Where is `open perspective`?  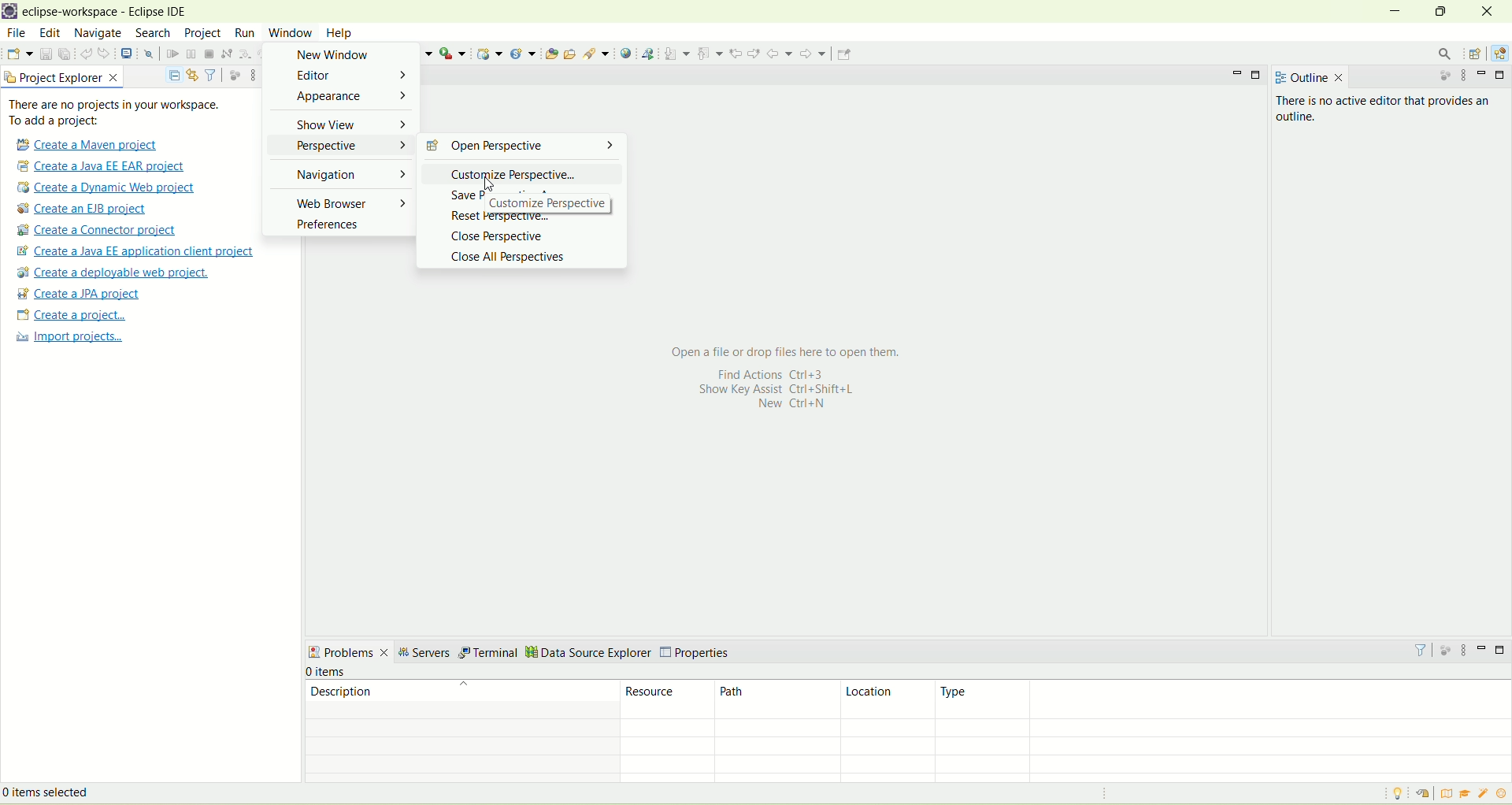 open perspective is located at coordinates (521, 147).